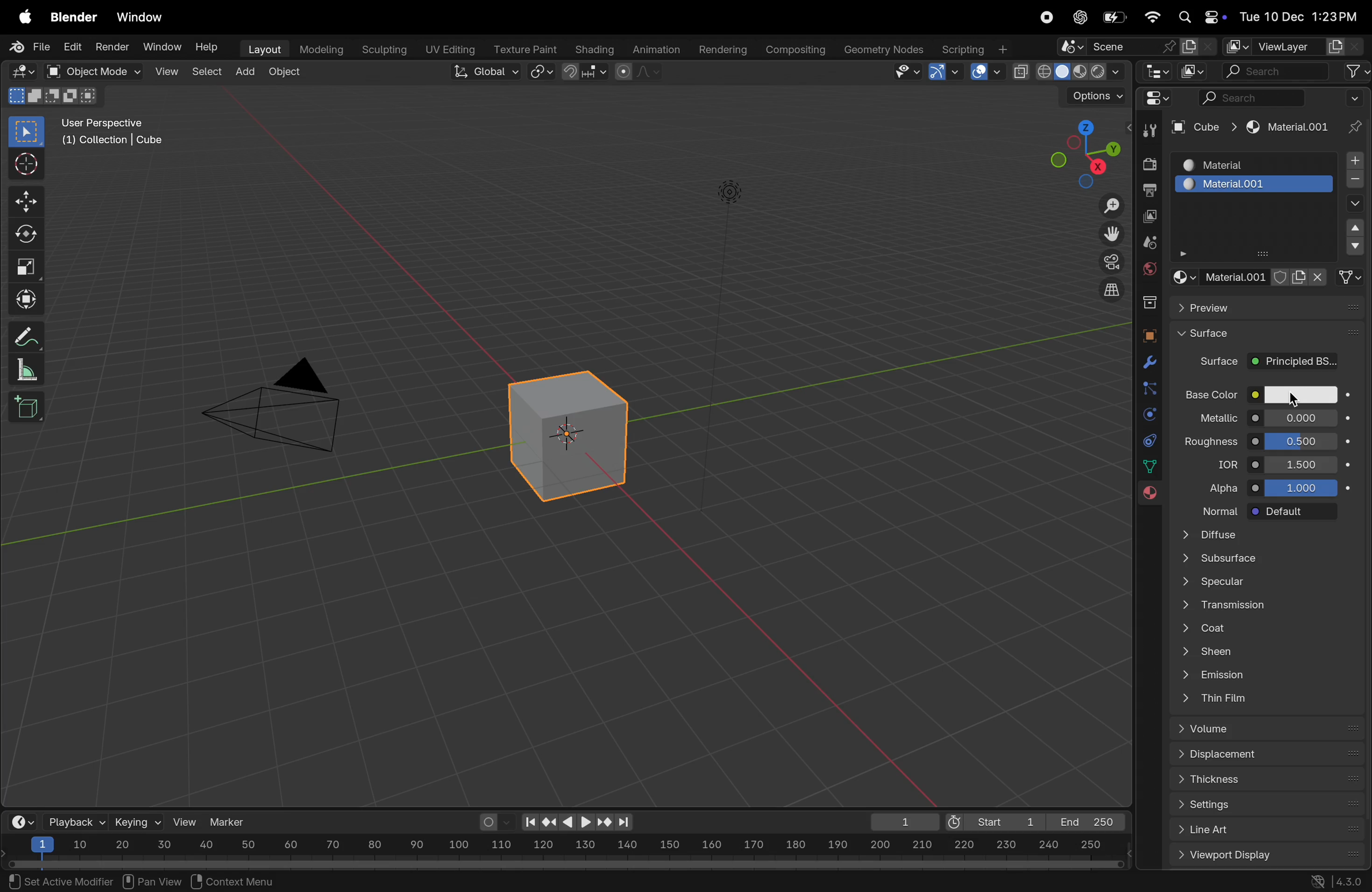 Image resolution: width=1372 pixels, height=892 pixels. I want to click on render, so click(1148, 164).